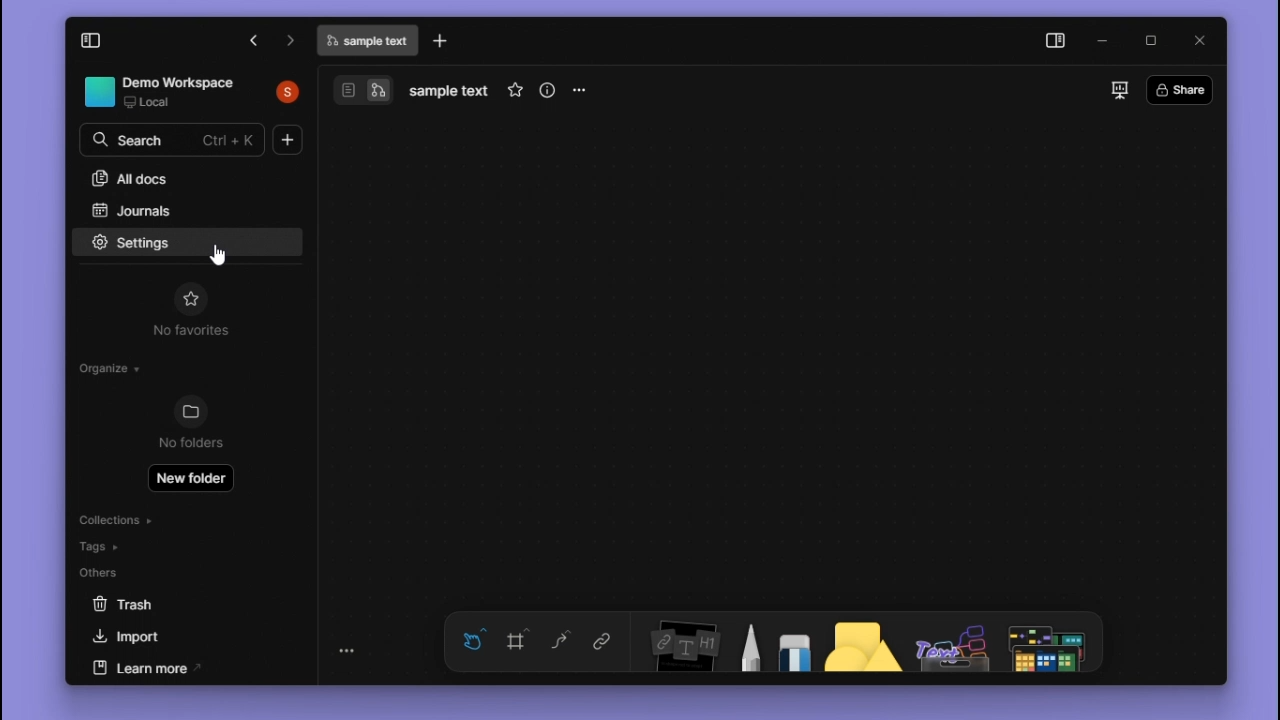 The width and height of the screenshot is (1280, 720). What do you see at coordinates (1199, 40) in the screenshot?
I see `close` at bounding box center [1199, 40].